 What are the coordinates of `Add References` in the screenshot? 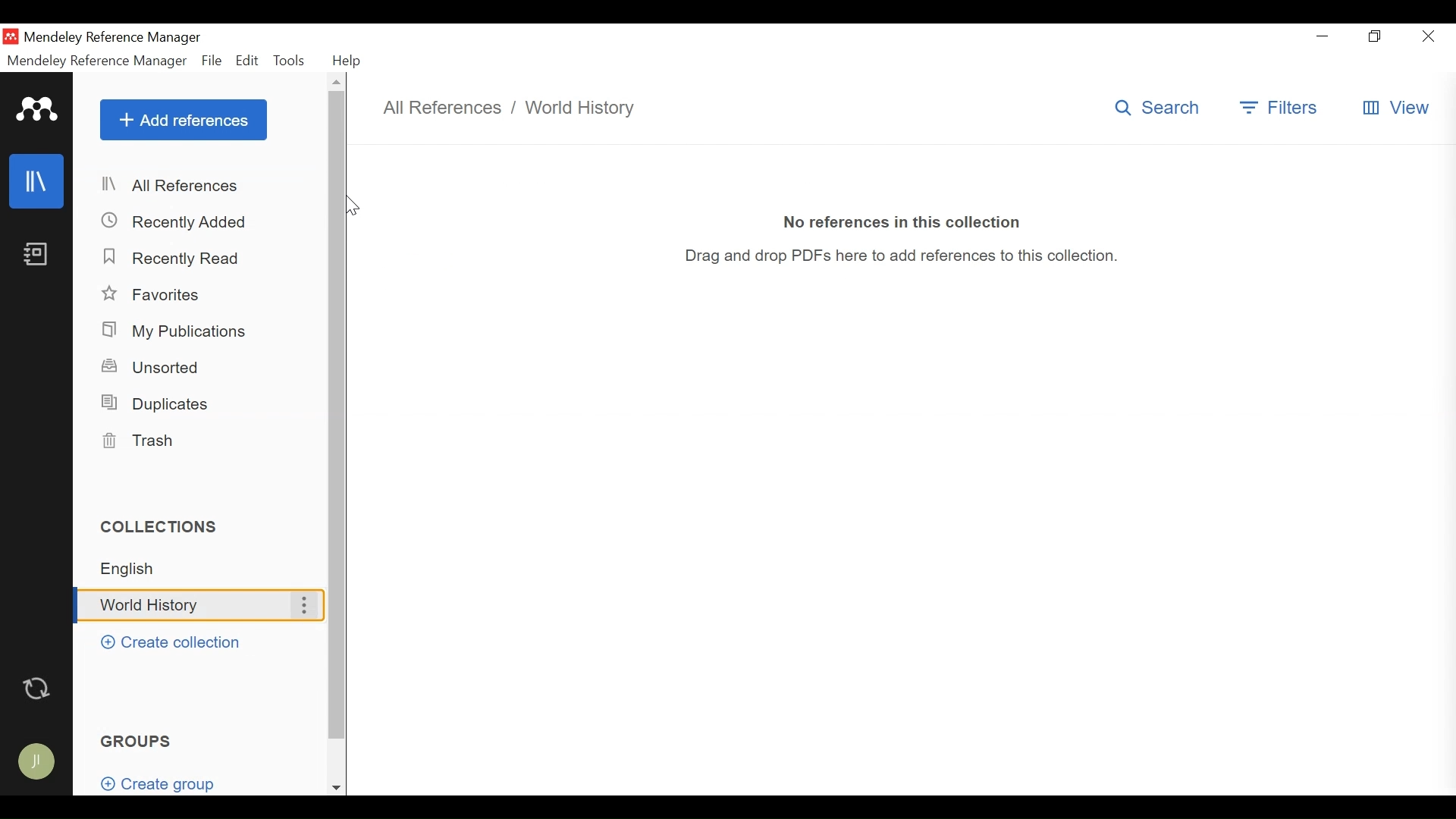 It's located at (184, 119).